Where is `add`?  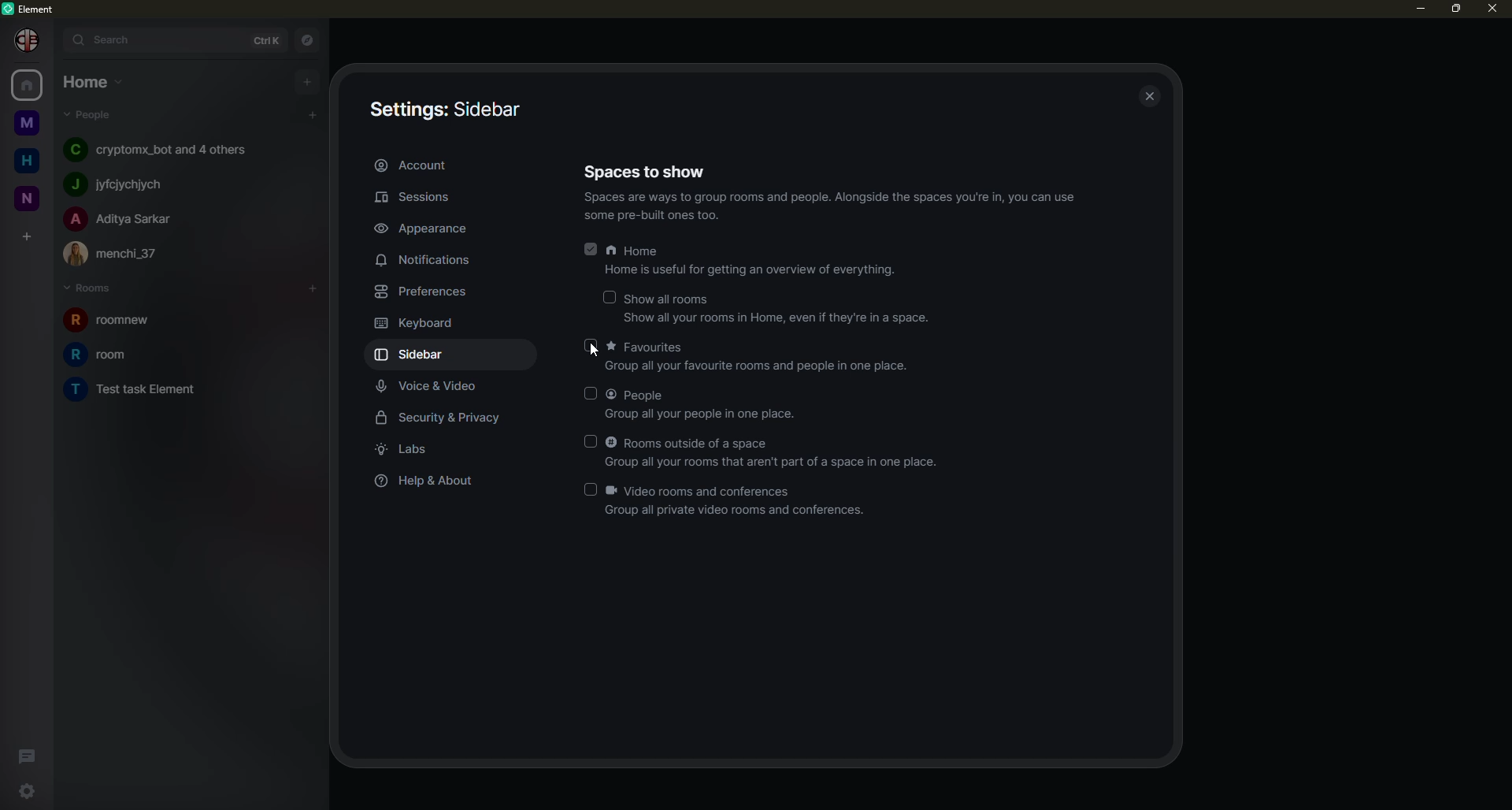
add is located at coordinates (310, 113).